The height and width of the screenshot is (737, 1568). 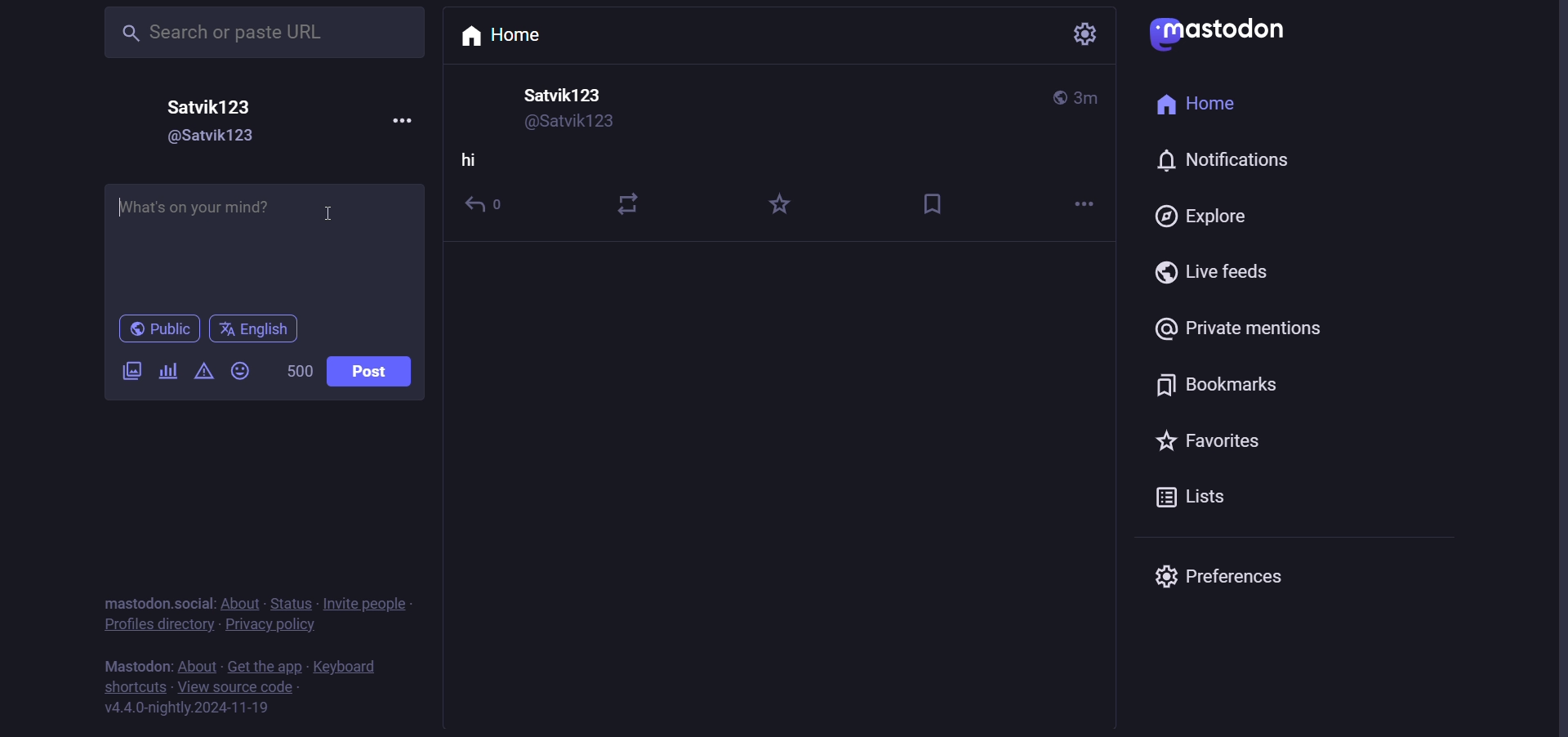 What do you see at coordinates (132, 371) in the screenshot?
I see `image/video` at bounding box center [132, 371].